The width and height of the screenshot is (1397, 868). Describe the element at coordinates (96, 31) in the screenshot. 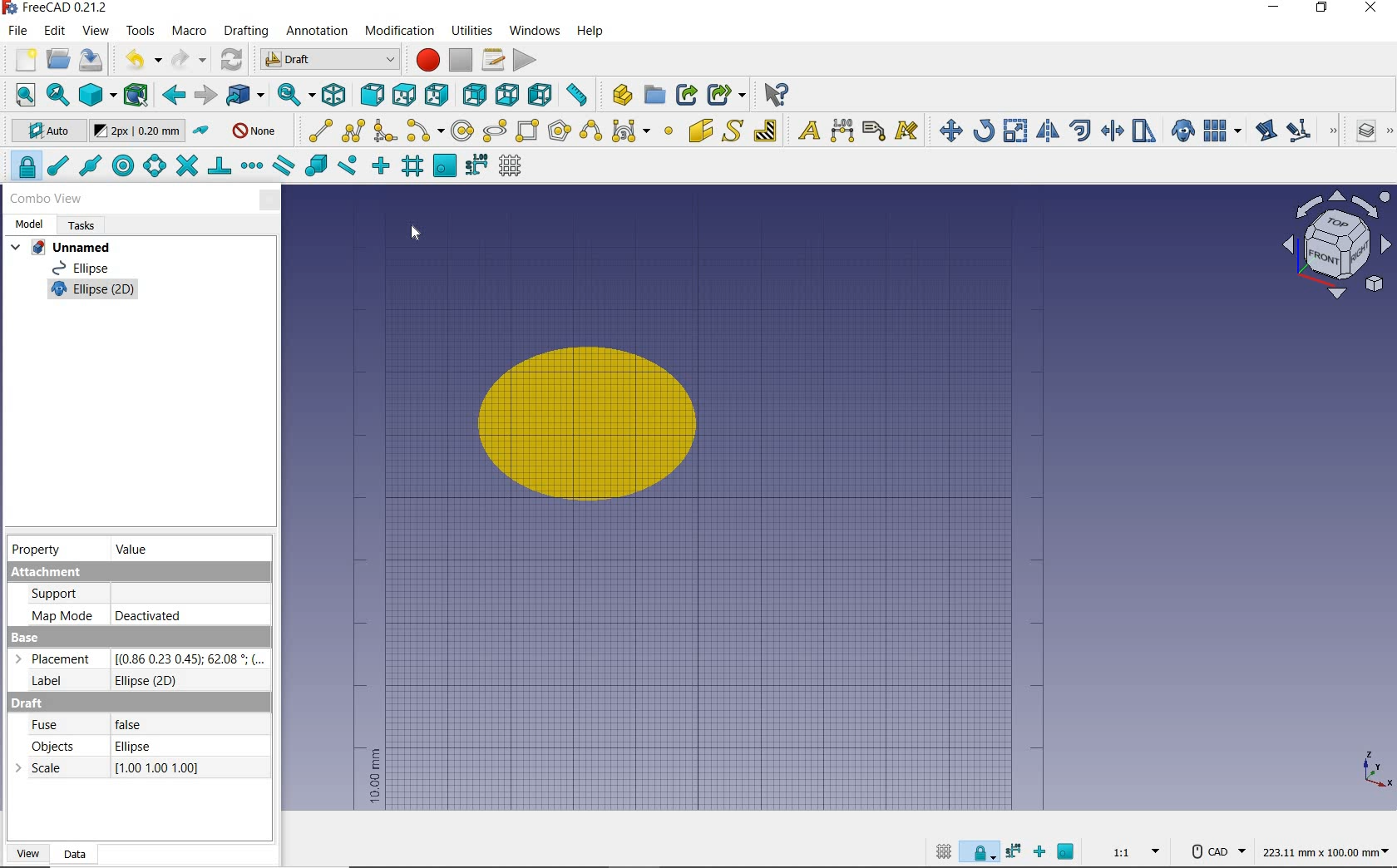

I see `view` at that location.